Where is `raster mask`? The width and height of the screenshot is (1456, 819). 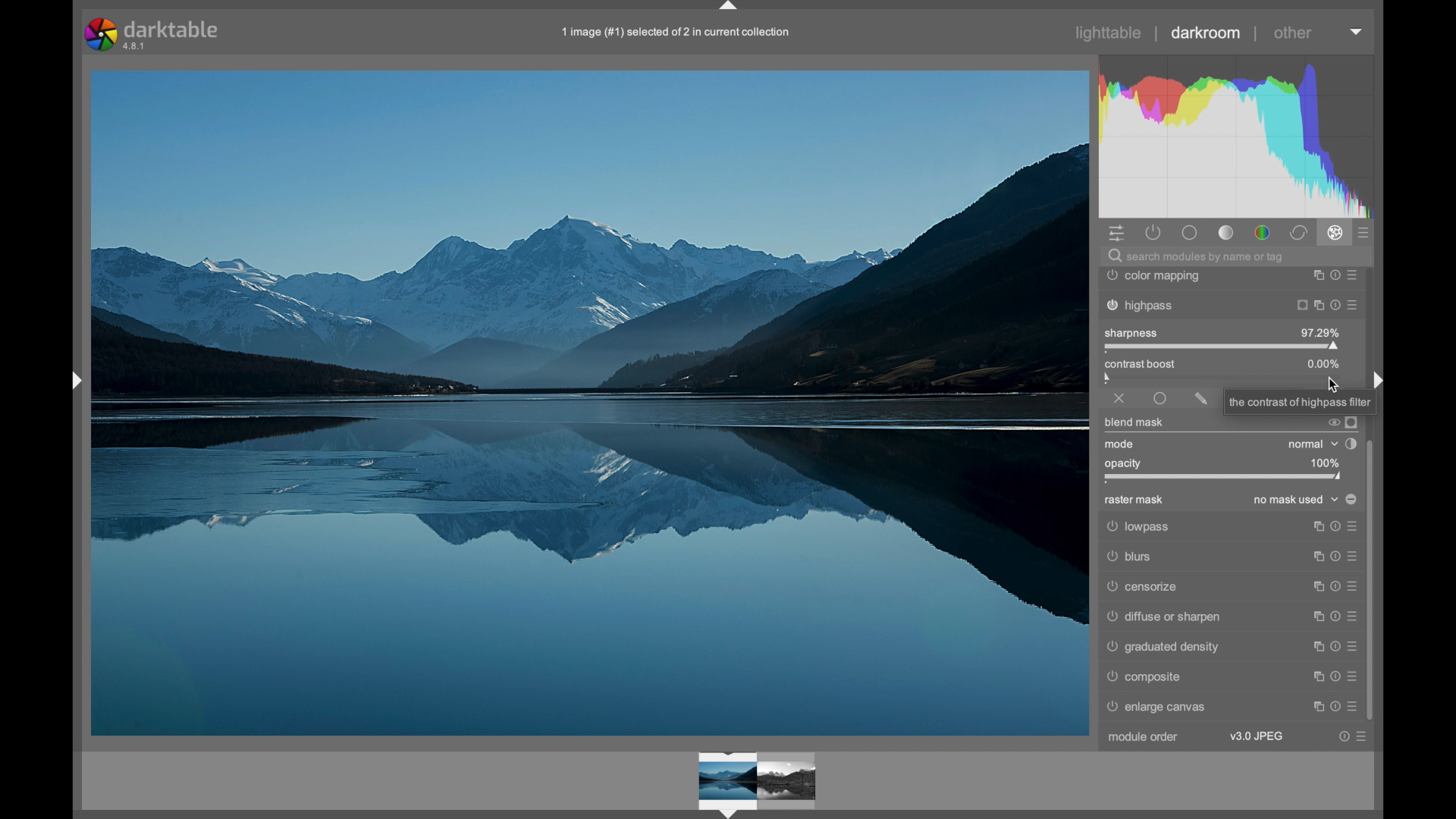 raster mask is located at coordinates (1134, 500).